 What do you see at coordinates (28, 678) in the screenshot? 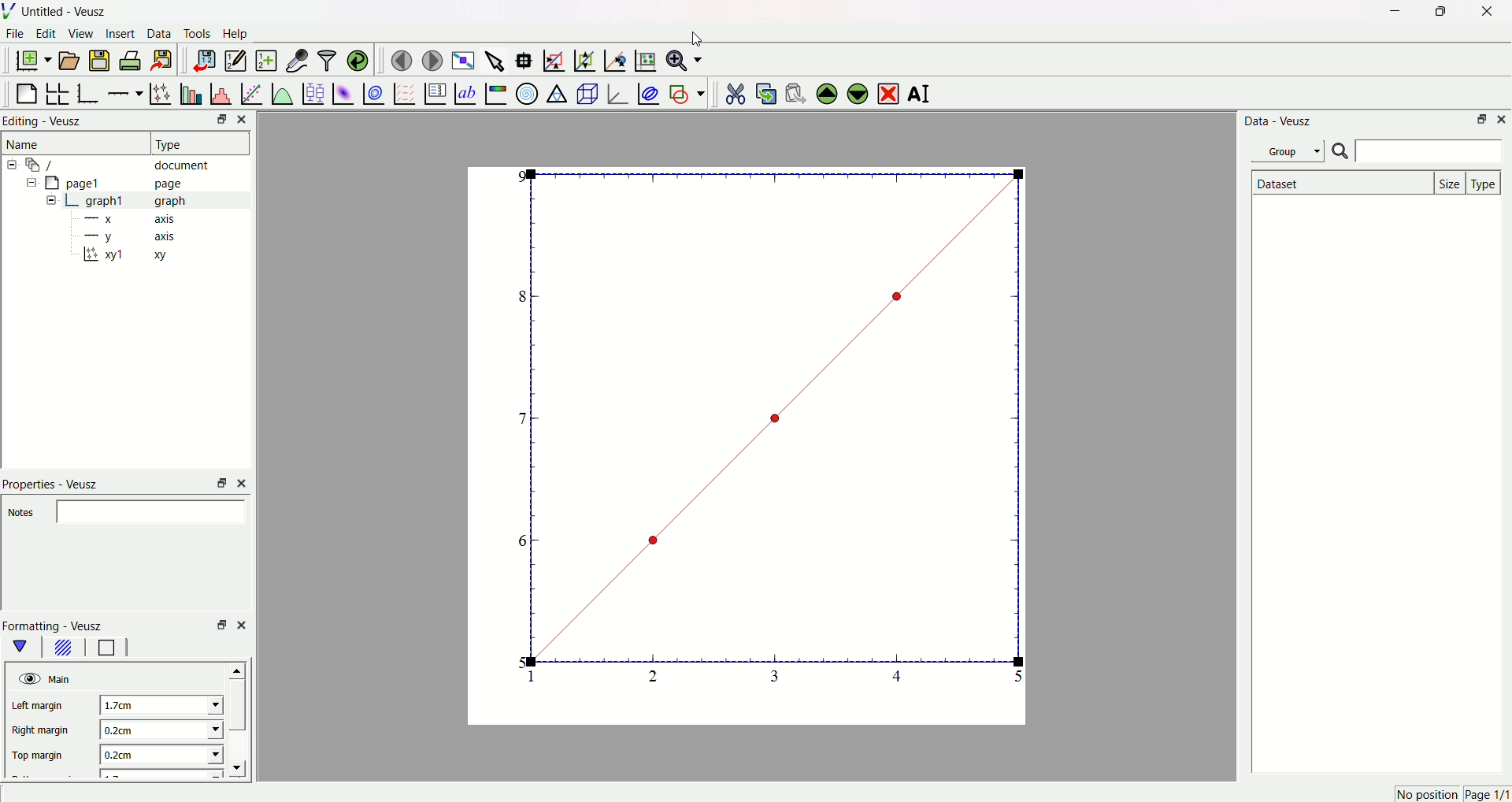
I see `hide/unhide` at bounding box center [28, 678].